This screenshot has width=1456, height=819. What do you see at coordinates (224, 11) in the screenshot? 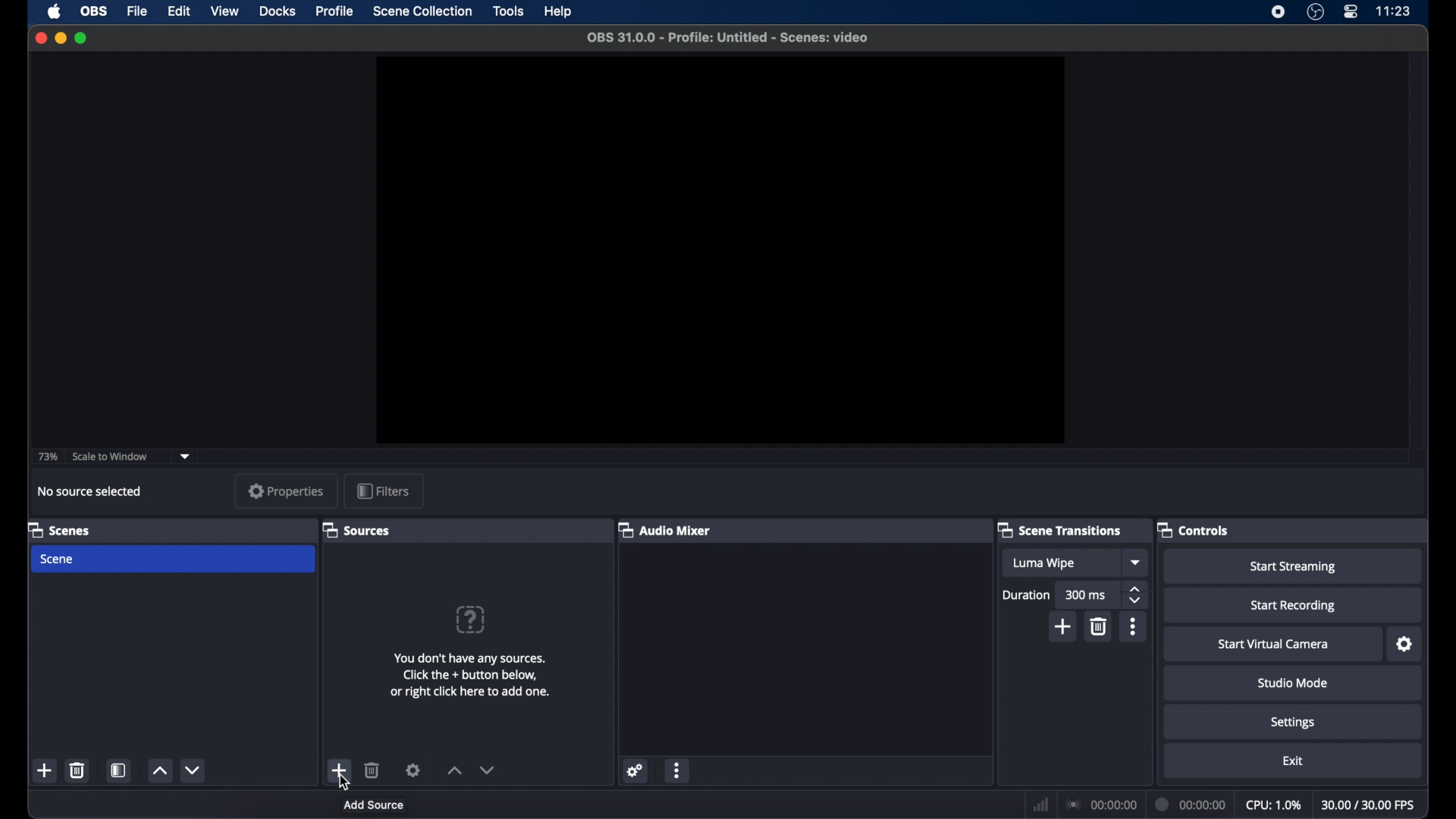
I see `view` at bounding box center [224, 11].